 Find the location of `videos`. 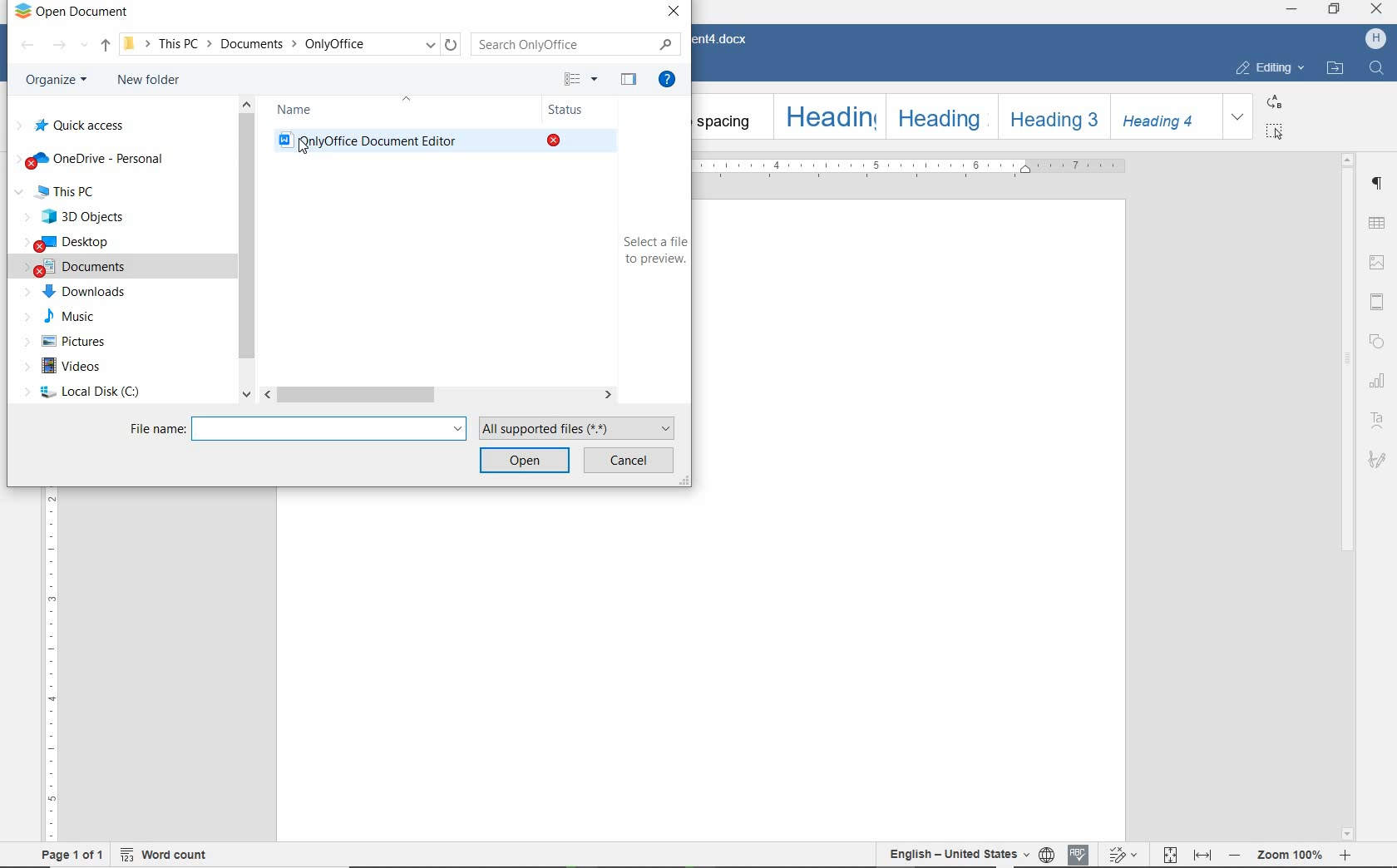

videos is located at coordinates (68, 367).